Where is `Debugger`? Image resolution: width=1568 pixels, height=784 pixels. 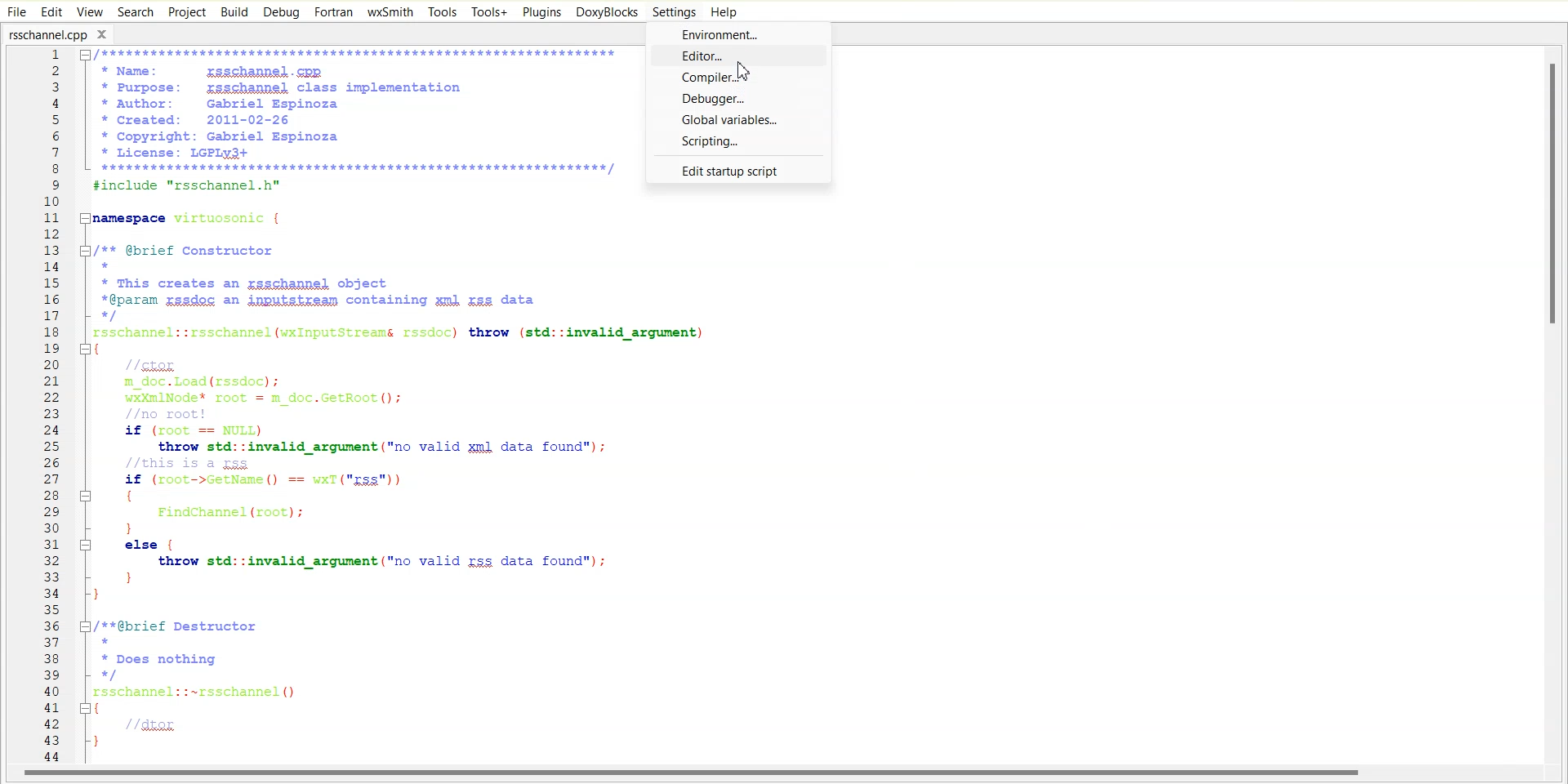
Debugger is located at coordinates (738, 100).